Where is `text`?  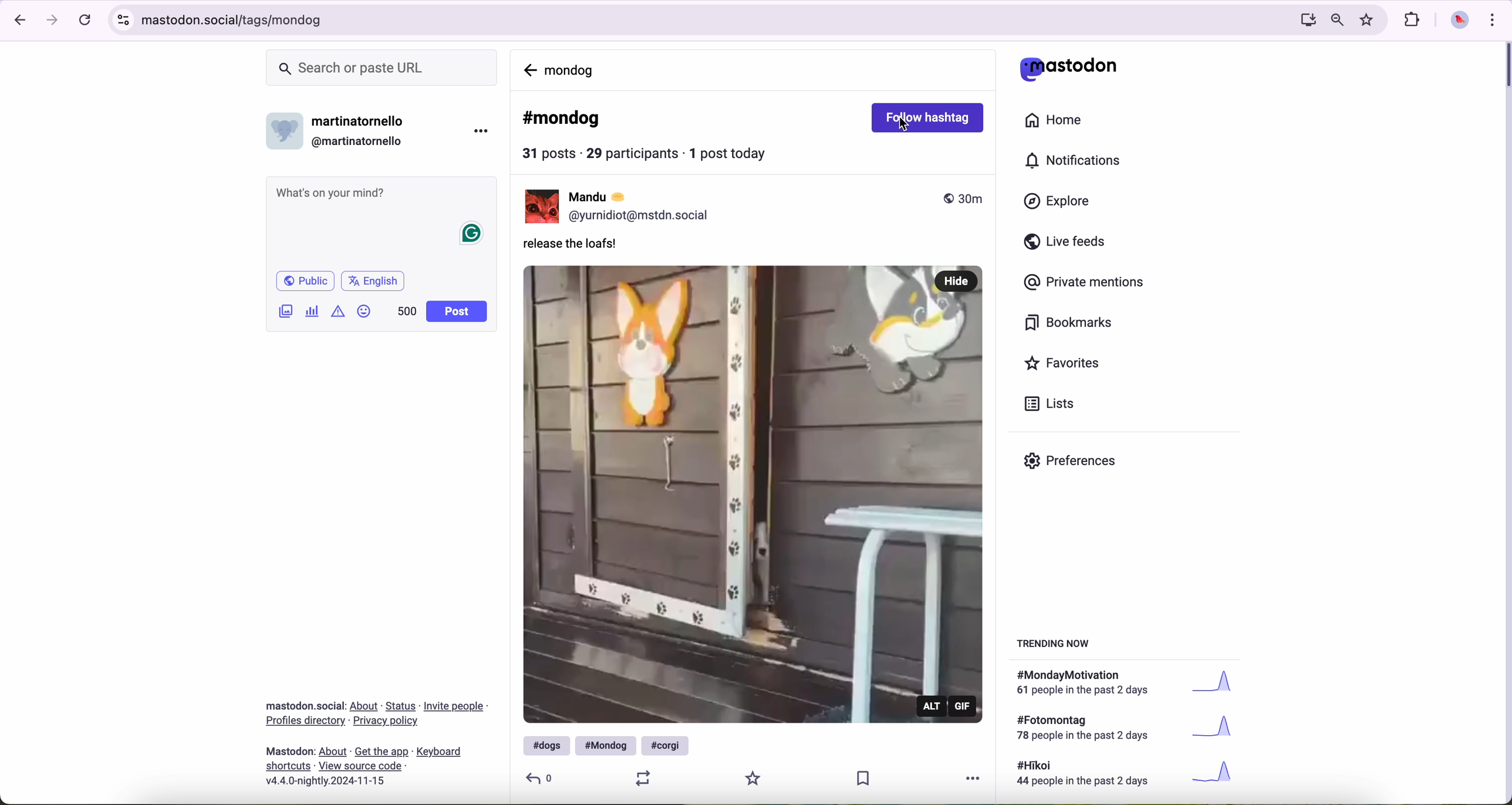 text is located at coordinates (1086, 729).